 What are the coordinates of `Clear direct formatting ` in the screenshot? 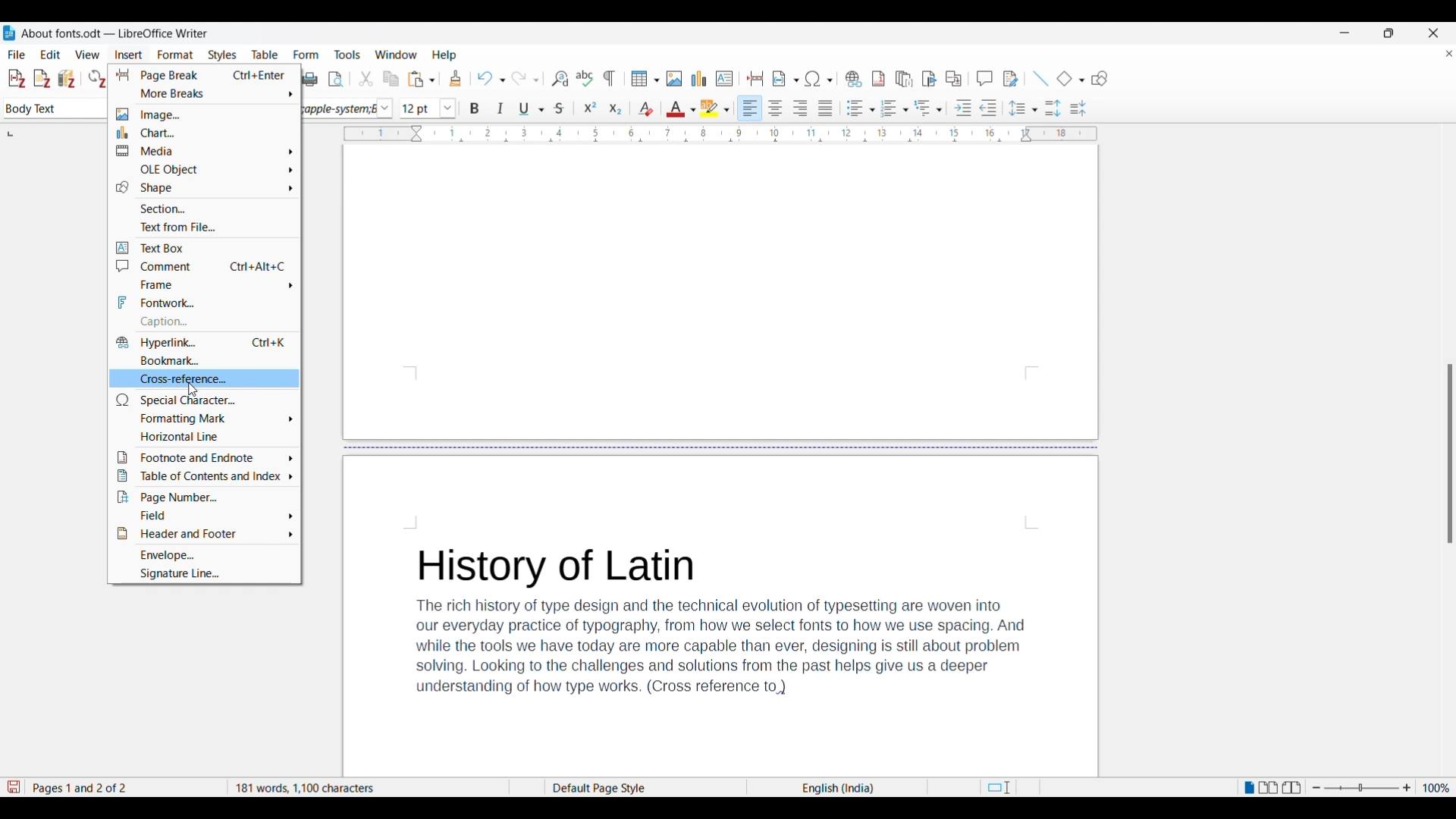 It's located at (646, 108).